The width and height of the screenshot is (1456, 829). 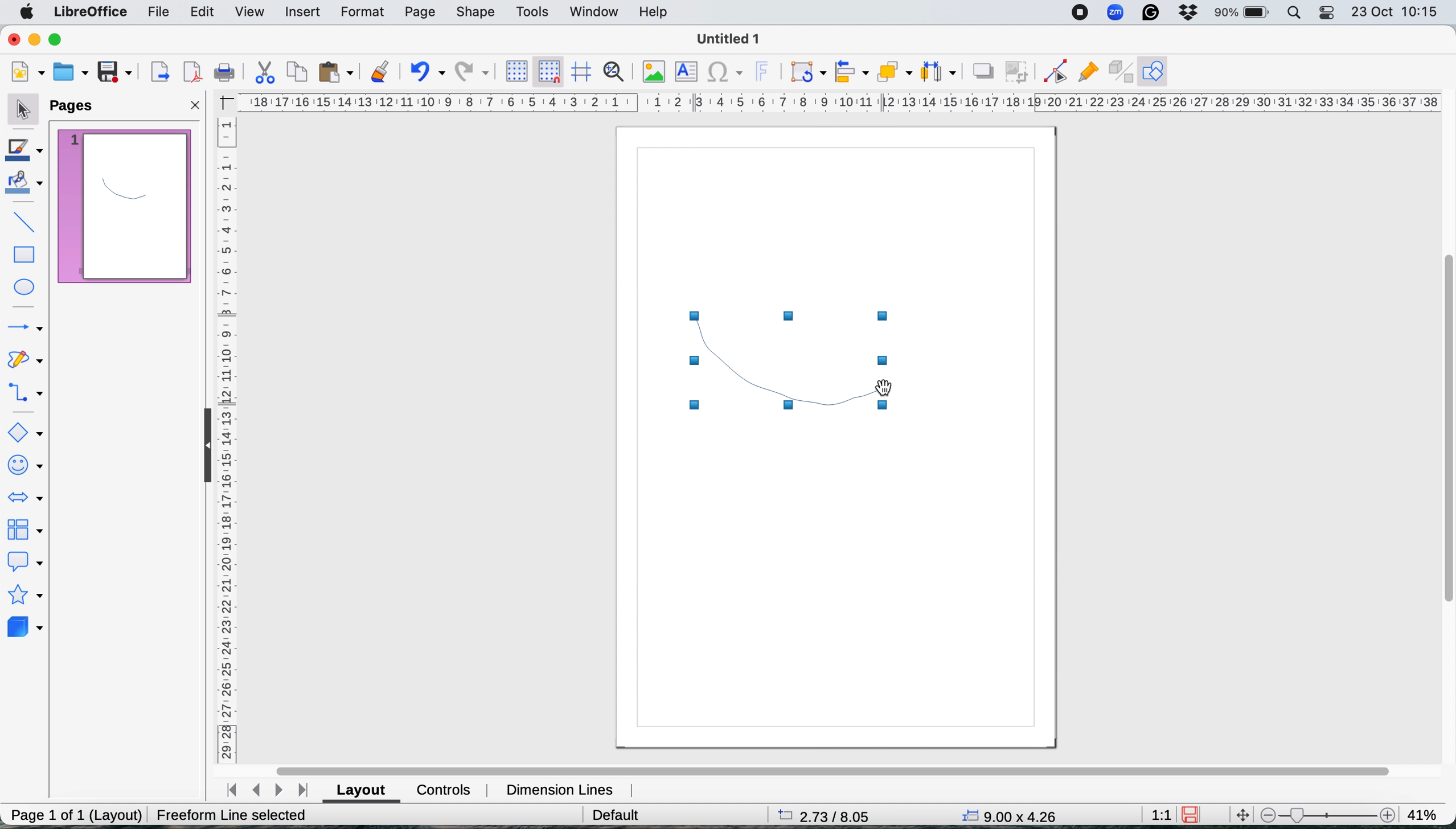 I want to click on fill color, so click(x=26, y=186).